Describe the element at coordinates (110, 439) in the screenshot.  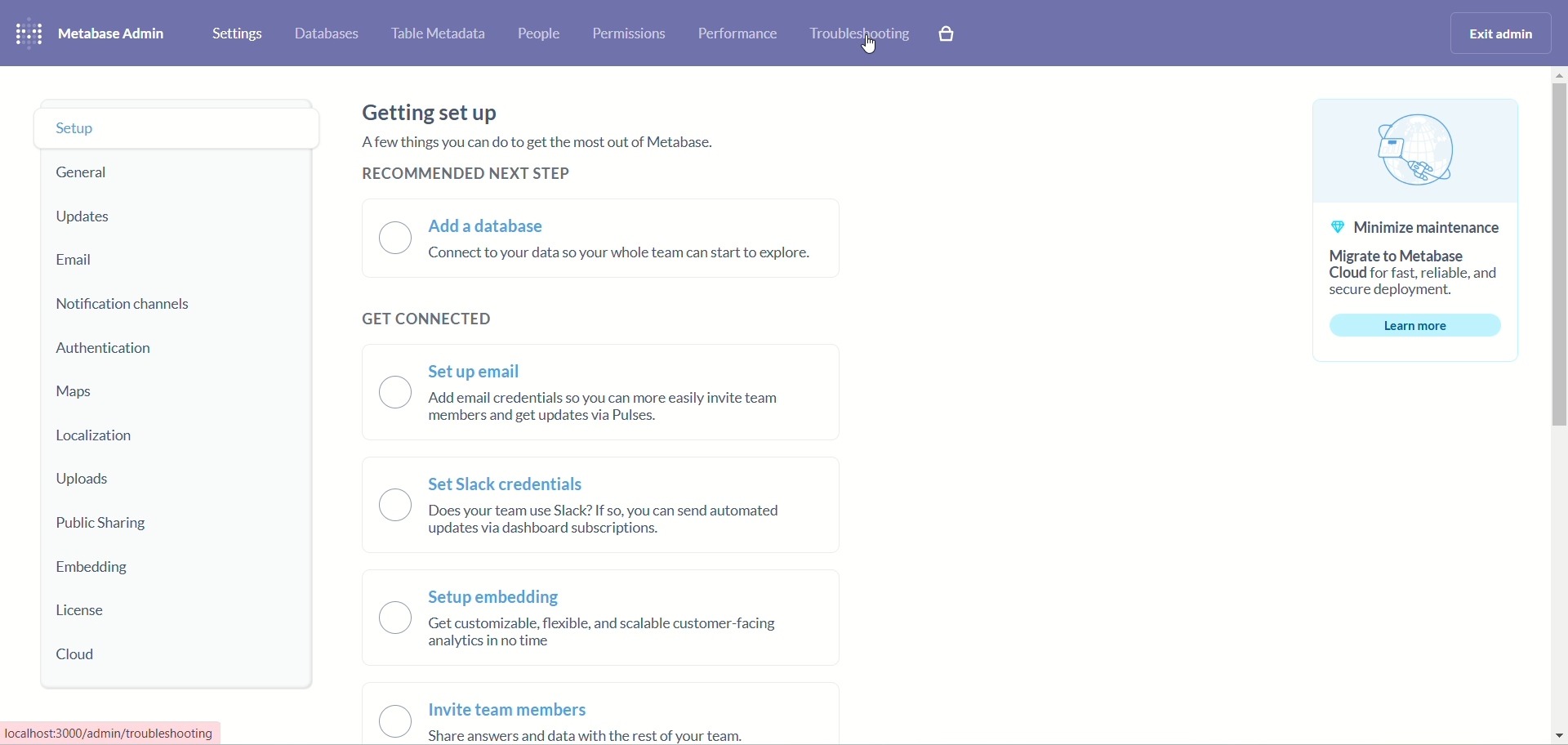
I see `localization` at that location.